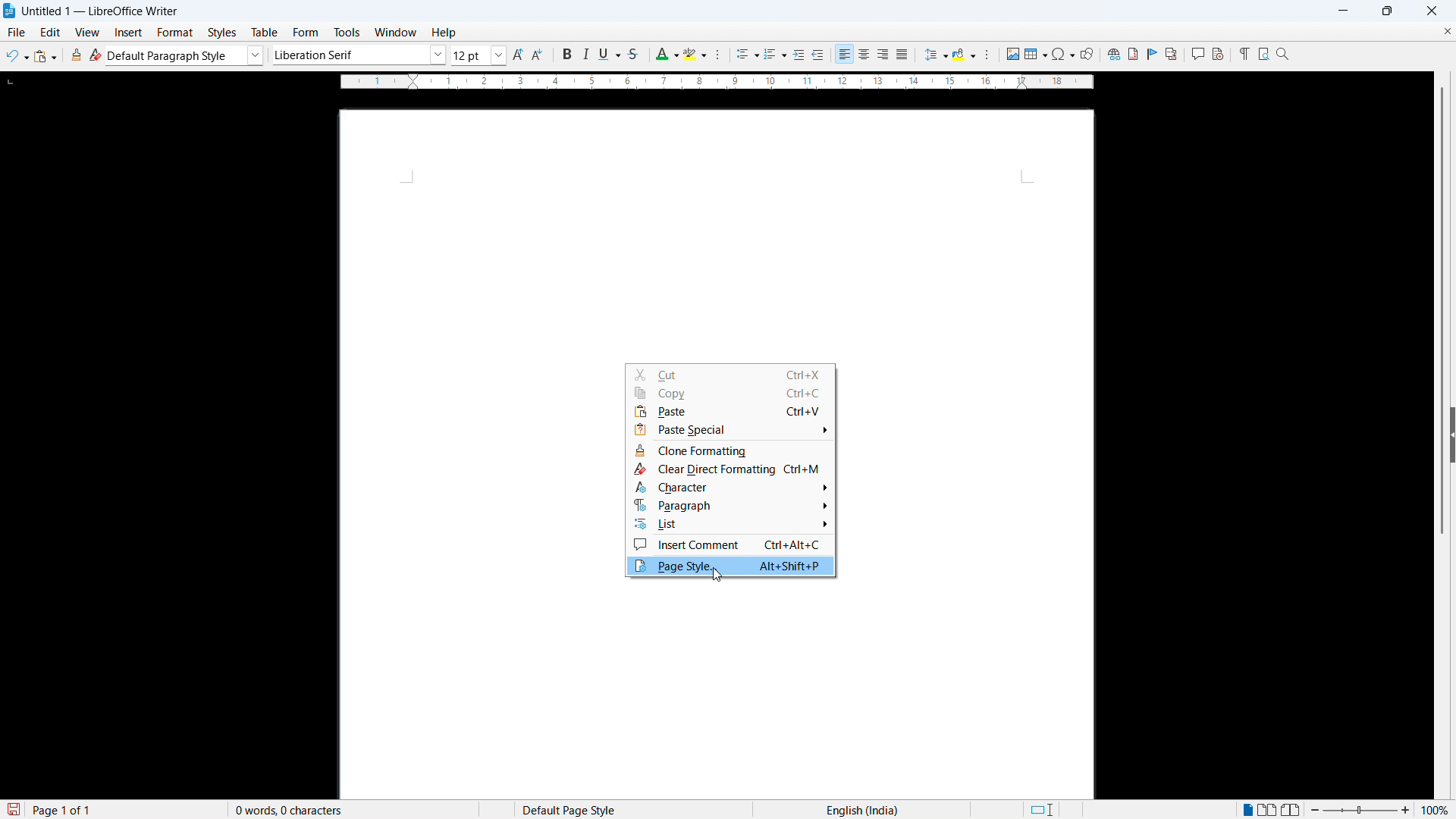 This screenshot has height=819, width=1456. I want to click on Language , so click(862, 809).